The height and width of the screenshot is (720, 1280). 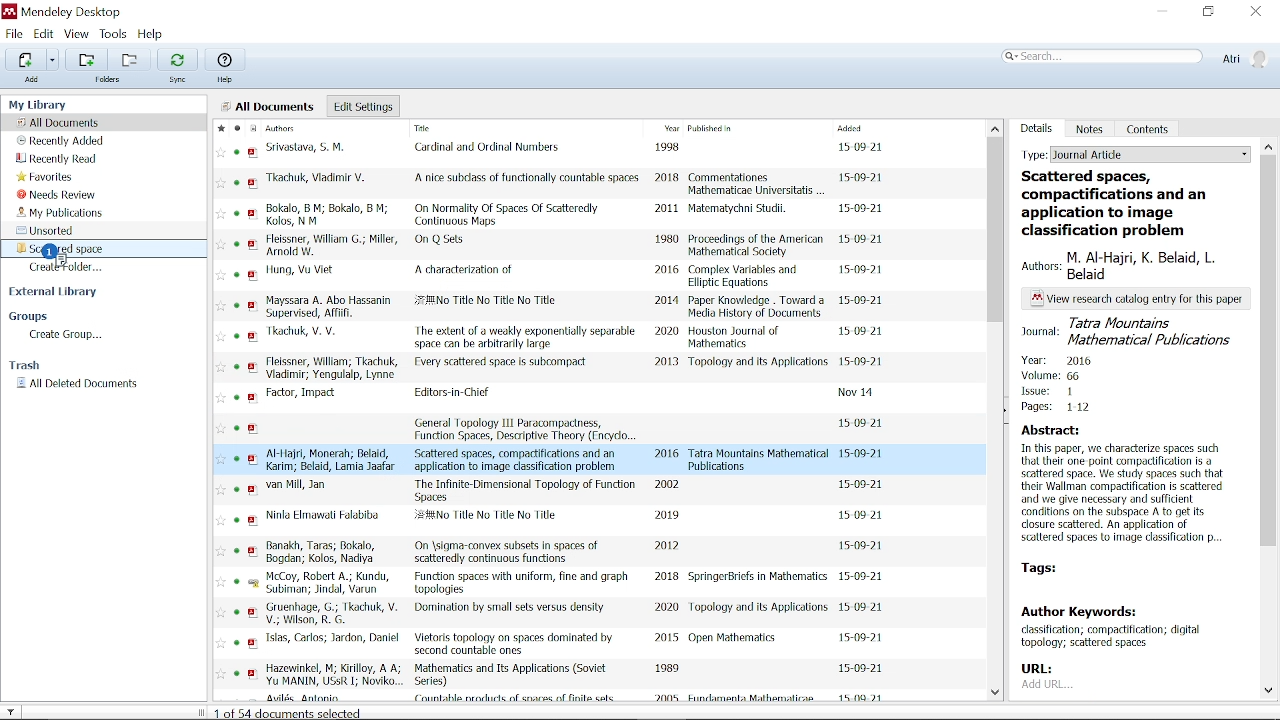 What do you see at coordinates (1128, 331) in the screenshot?
I see `journal` at bounding box center [1128, 331].